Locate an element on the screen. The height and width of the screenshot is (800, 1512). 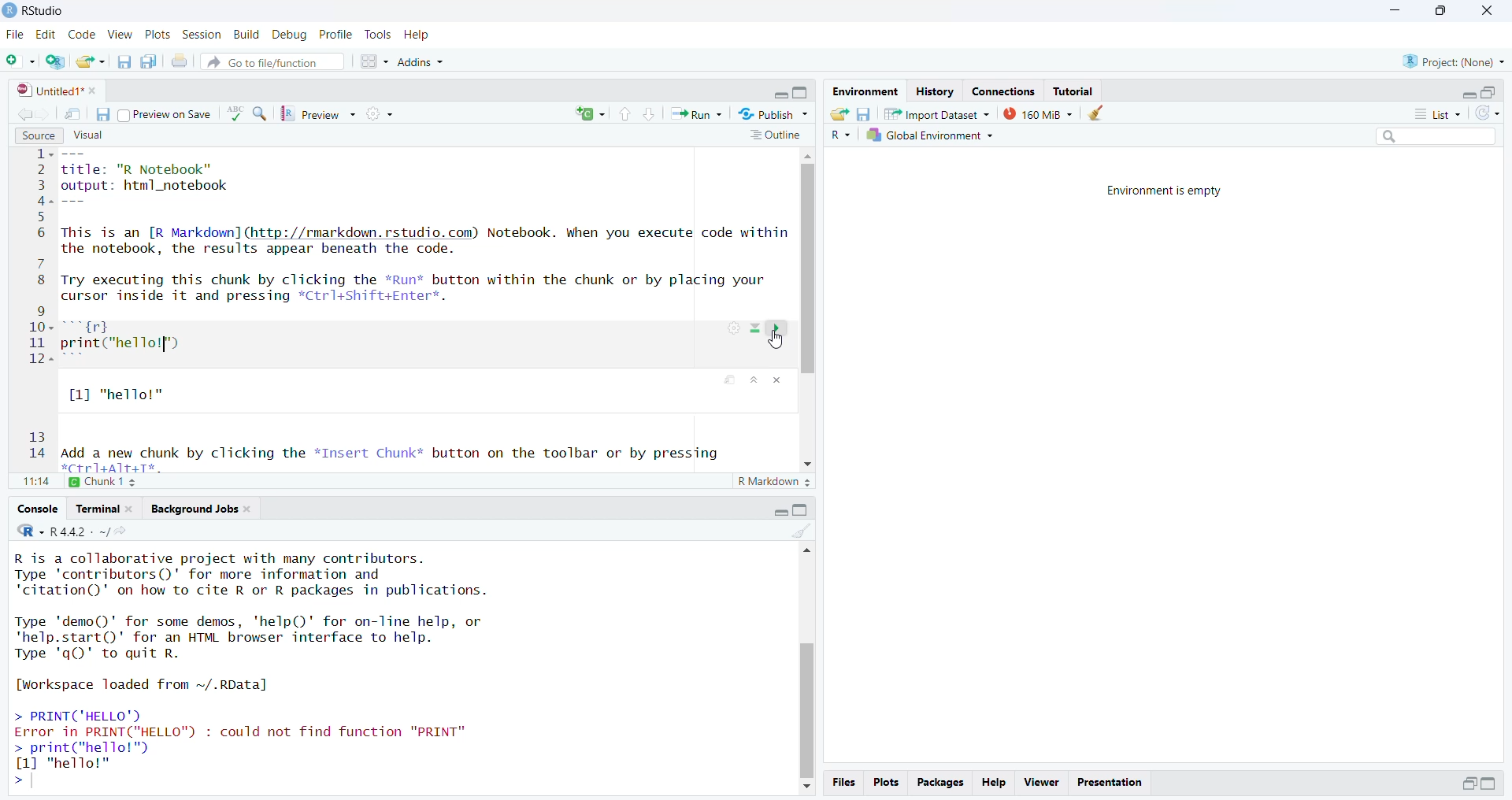
Rstudio is located at coordinates (35, 10).